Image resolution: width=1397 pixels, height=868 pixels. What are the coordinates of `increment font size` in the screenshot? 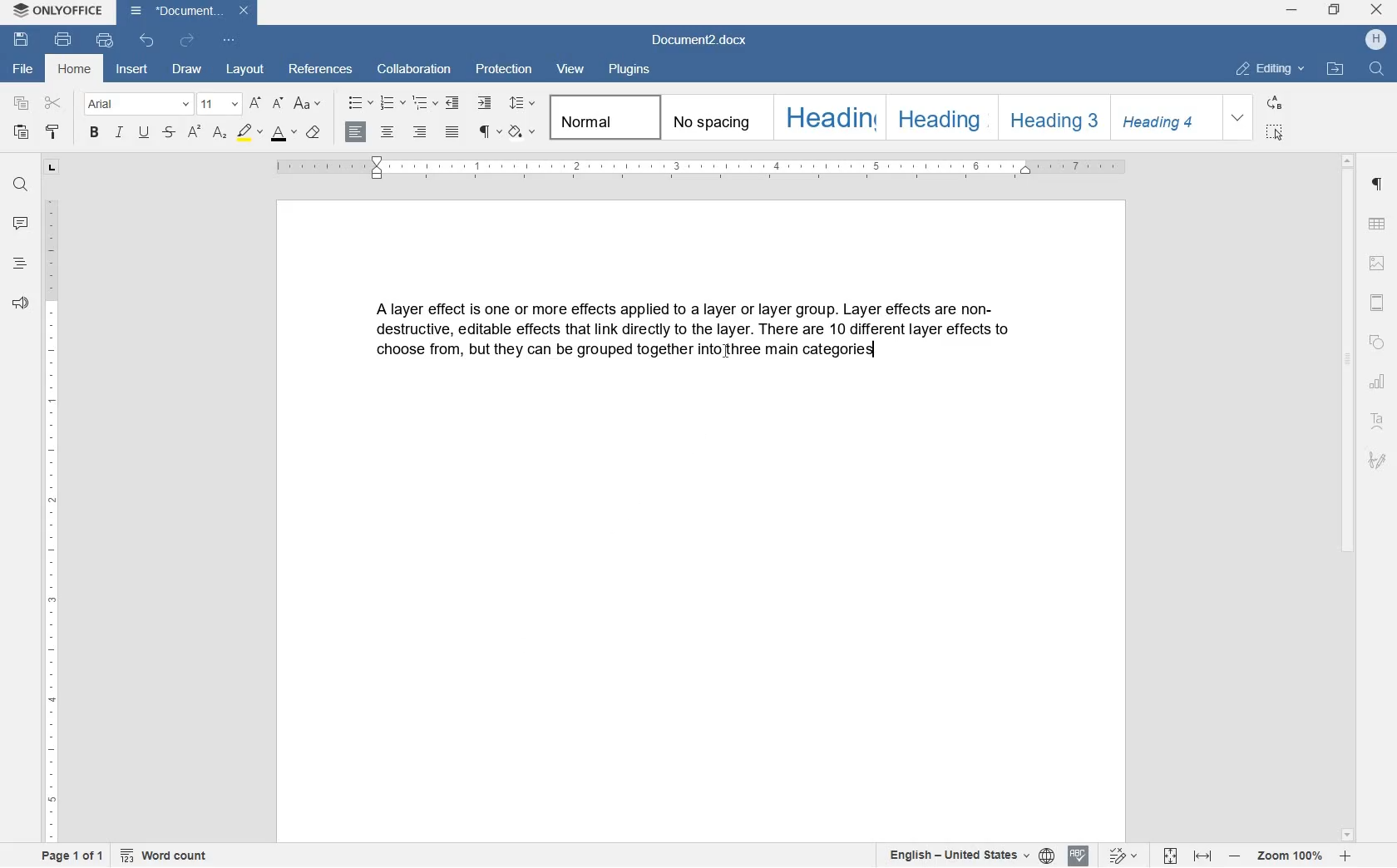 It's located at (256, 102).